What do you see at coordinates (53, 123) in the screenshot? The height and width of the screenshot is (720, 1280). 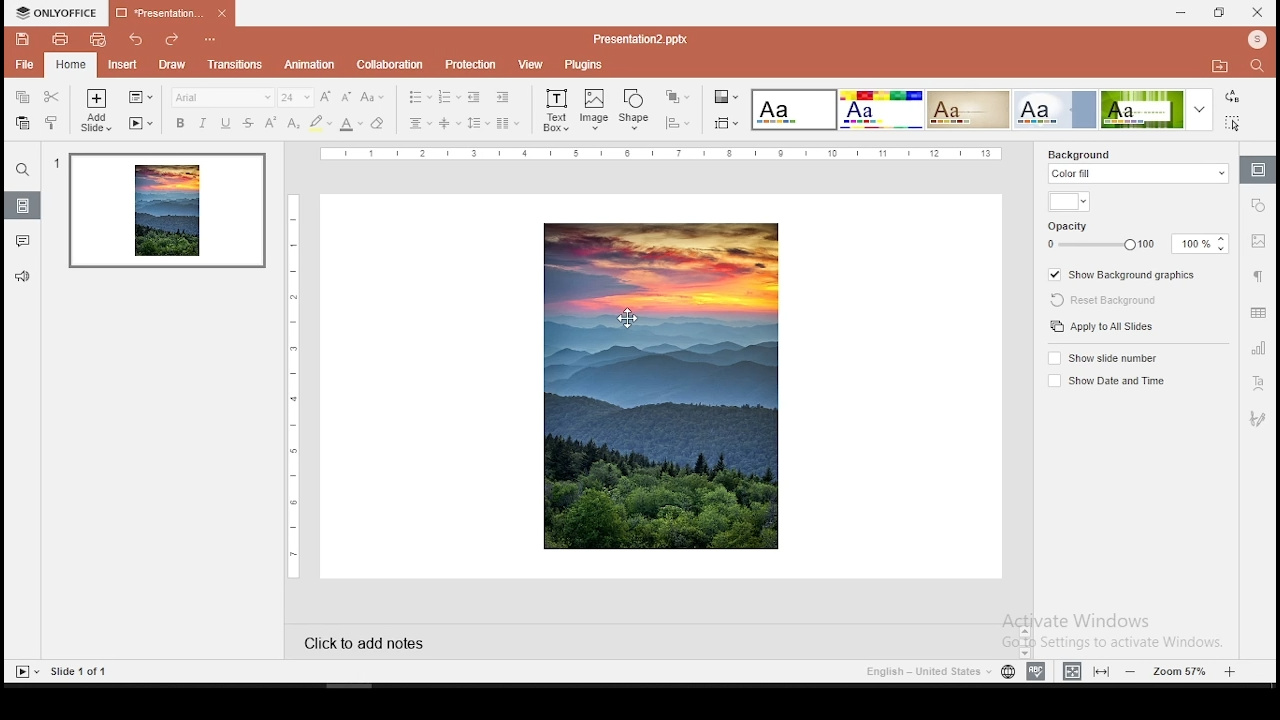 I see `clone formatting` at bounding box center [53, 123].